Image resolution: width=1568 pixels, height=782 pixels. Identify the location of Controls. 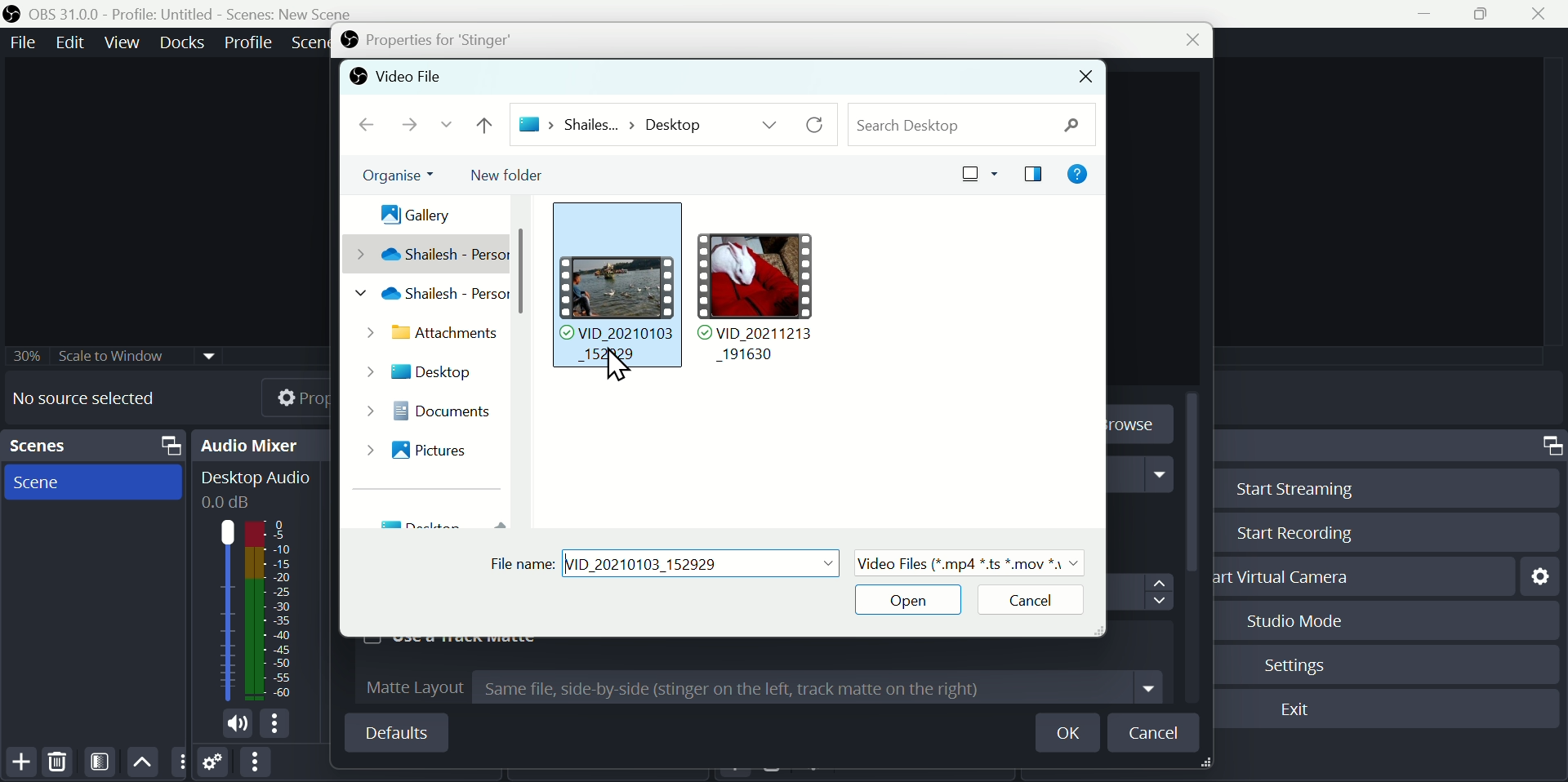
(1549, 446).